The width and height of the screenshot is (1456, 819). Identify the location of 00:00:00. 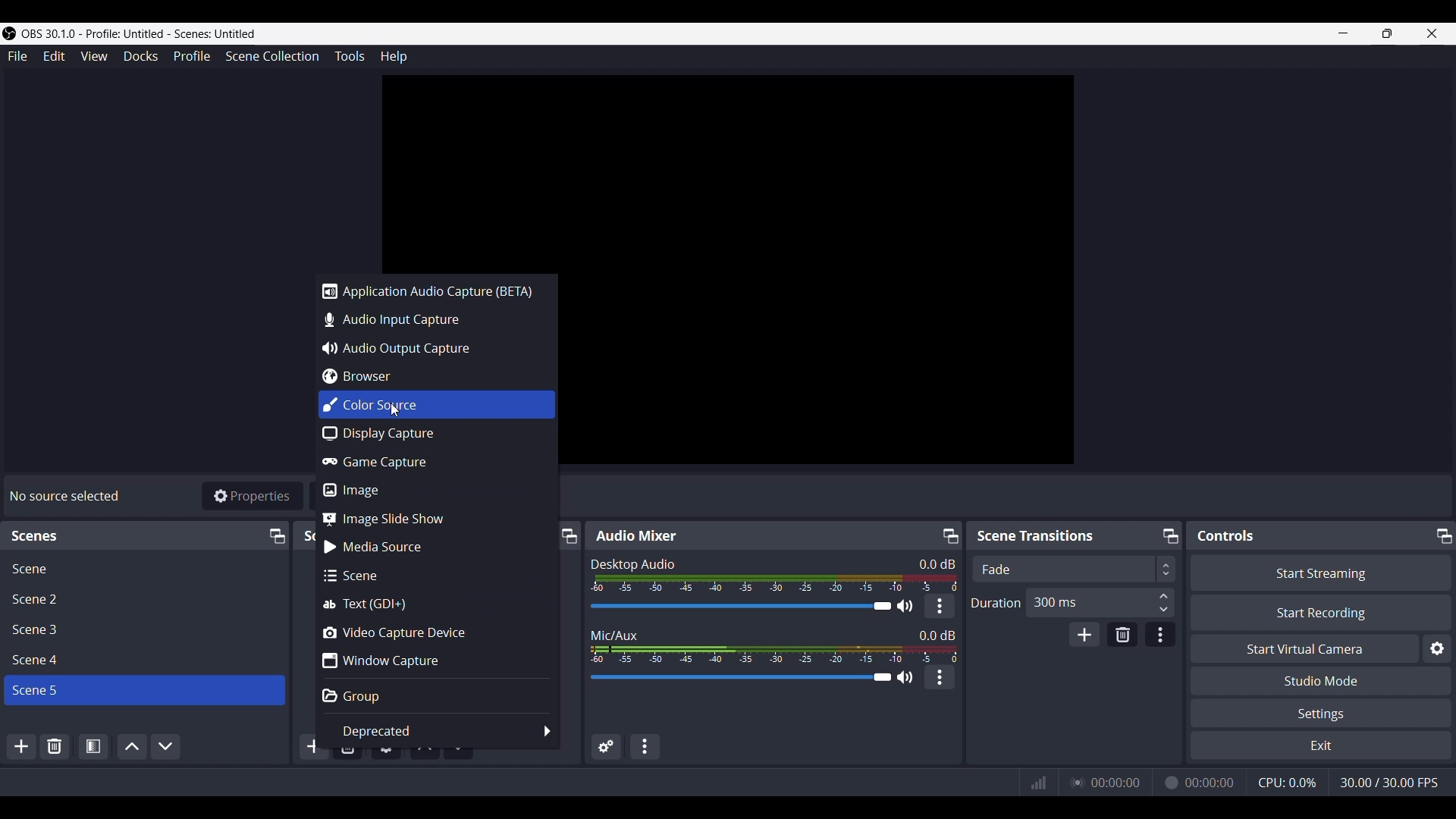
(1211, 783).